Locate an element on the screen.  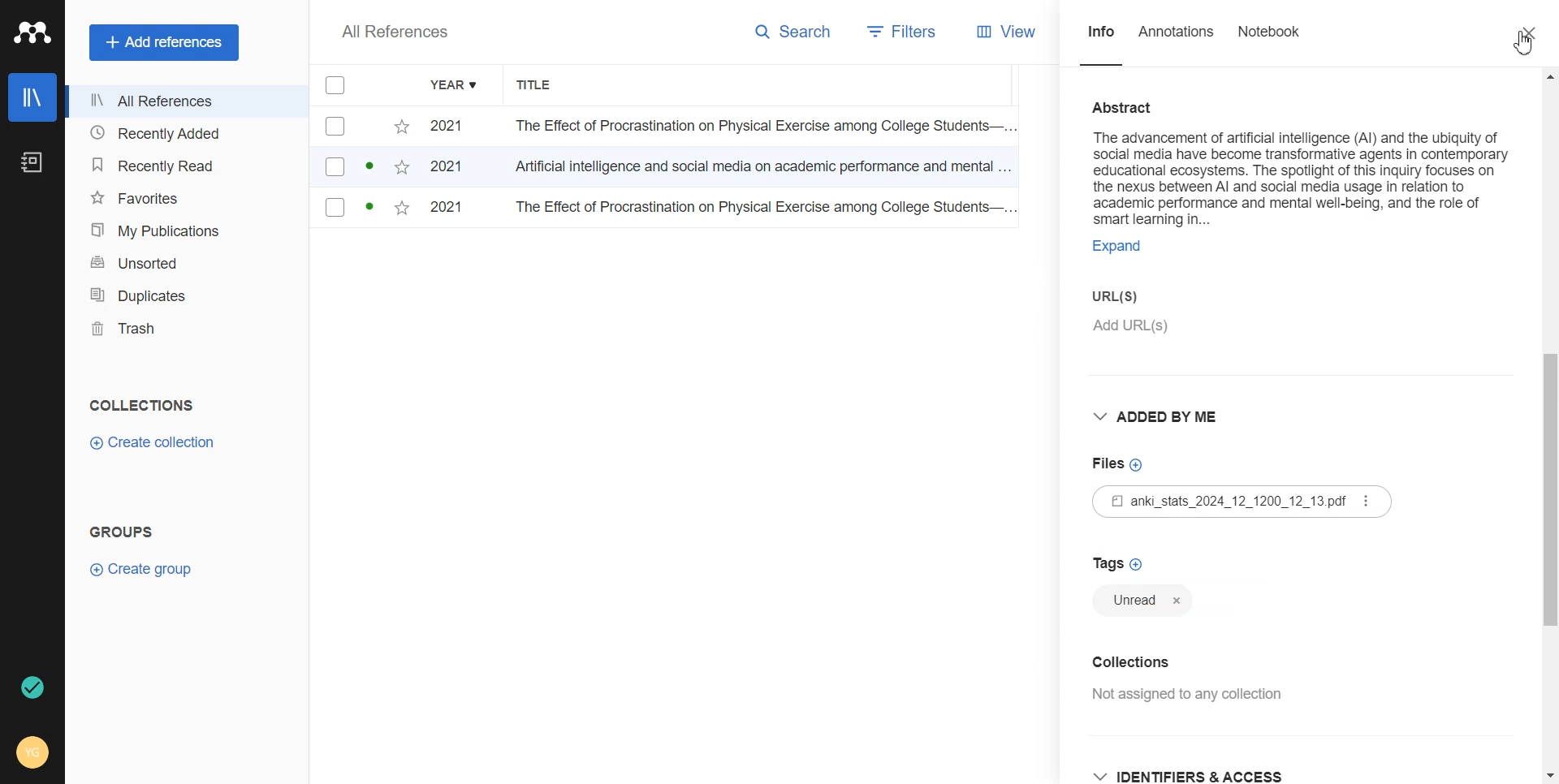
Library is located at coordinates (32, 97).